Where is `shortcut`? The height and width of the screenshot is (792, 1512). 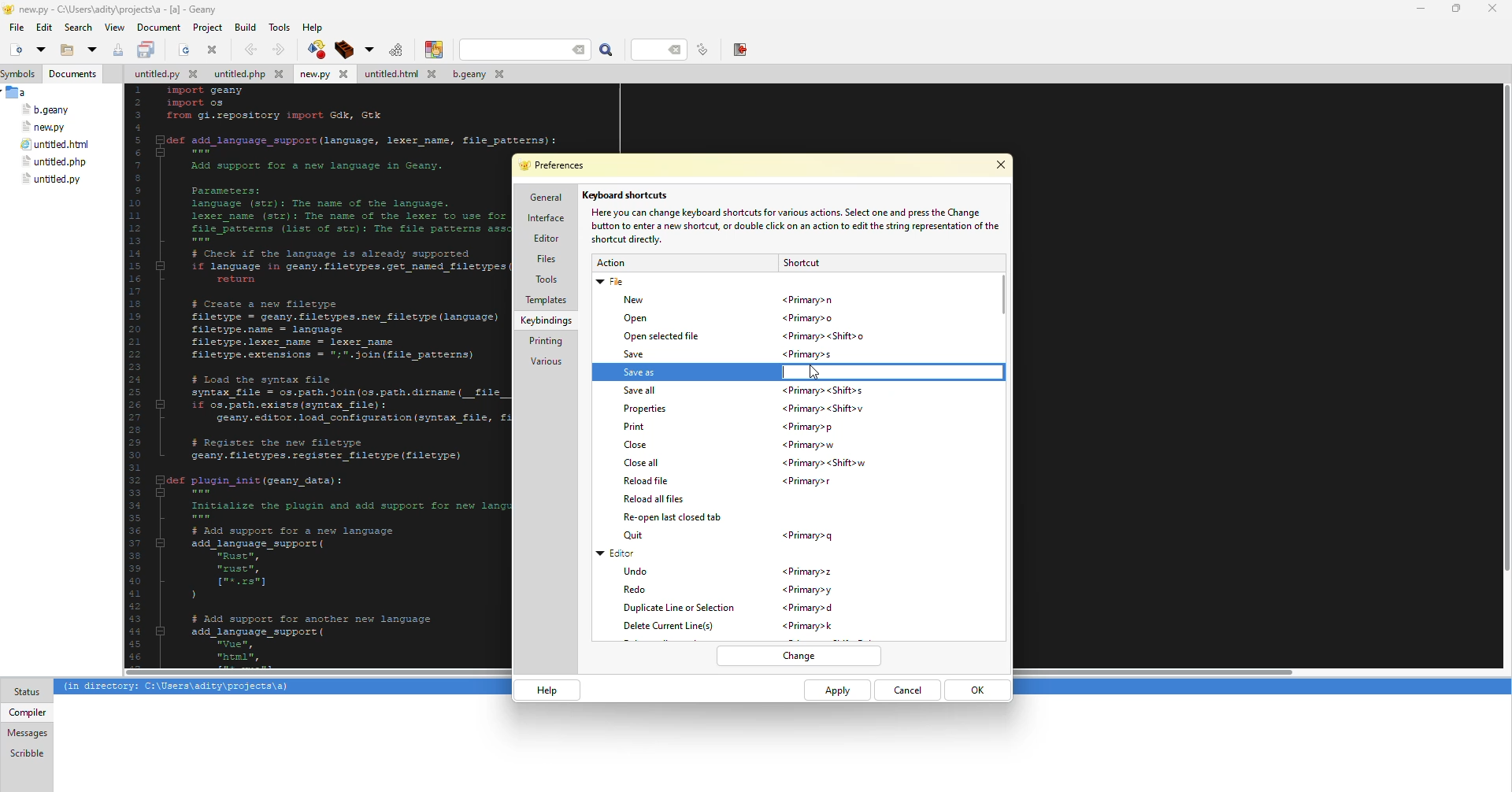 shortcut is located at coordinates (807, 573).